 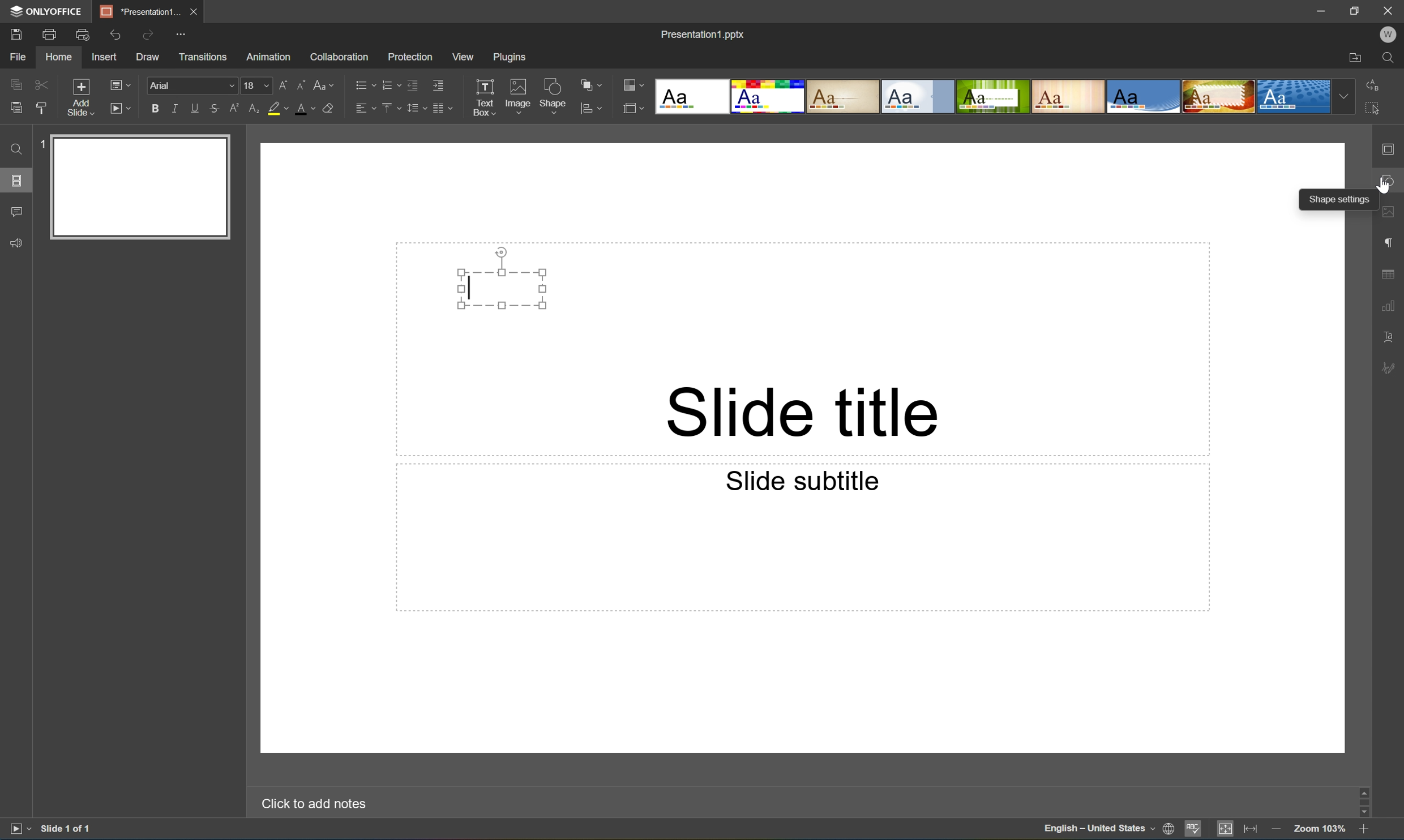 I want to click on Drop Down, so click(x=1345, y=96).